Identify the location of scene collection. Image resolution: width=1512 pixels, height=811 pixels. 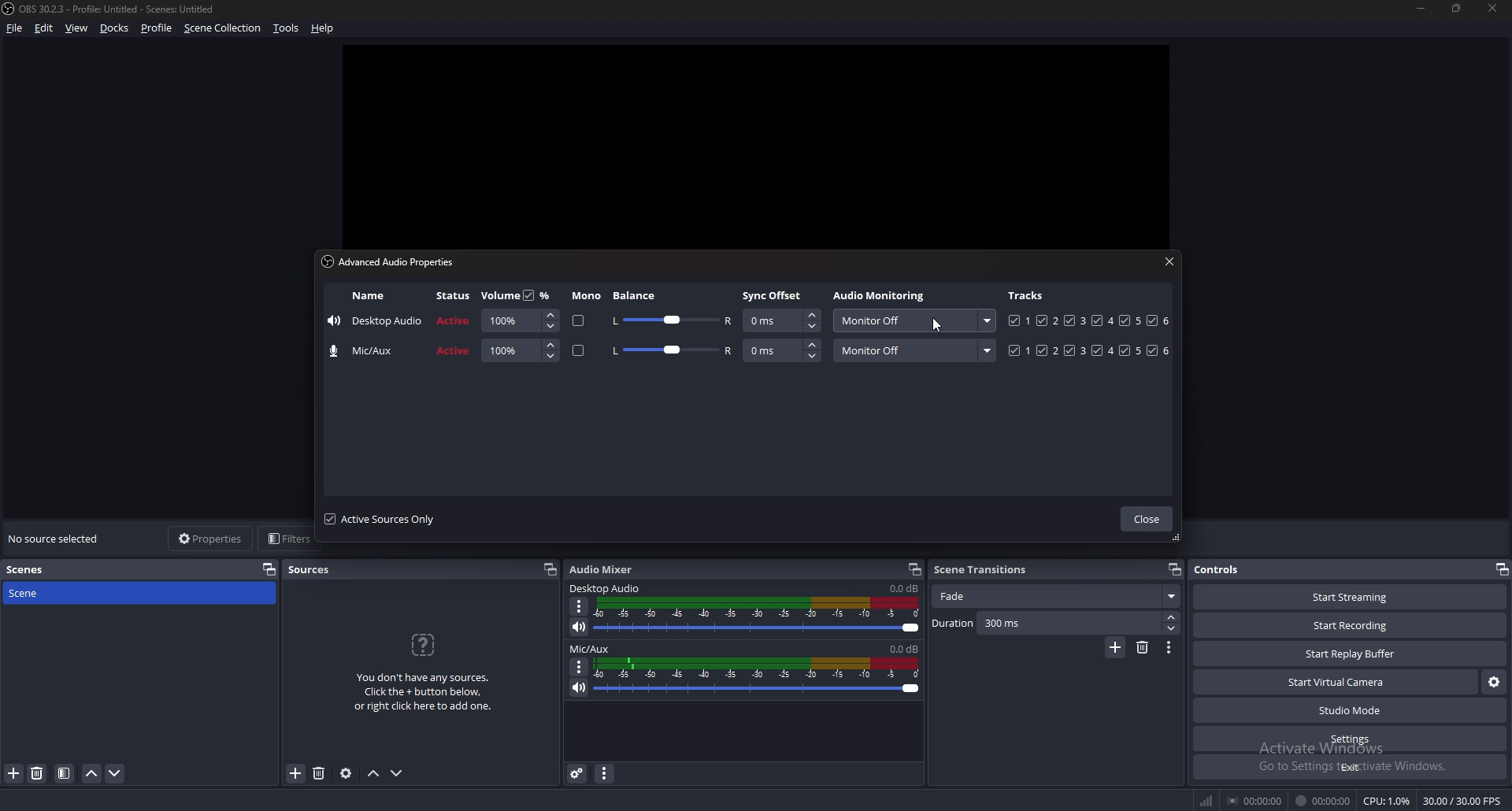
(222, 28).